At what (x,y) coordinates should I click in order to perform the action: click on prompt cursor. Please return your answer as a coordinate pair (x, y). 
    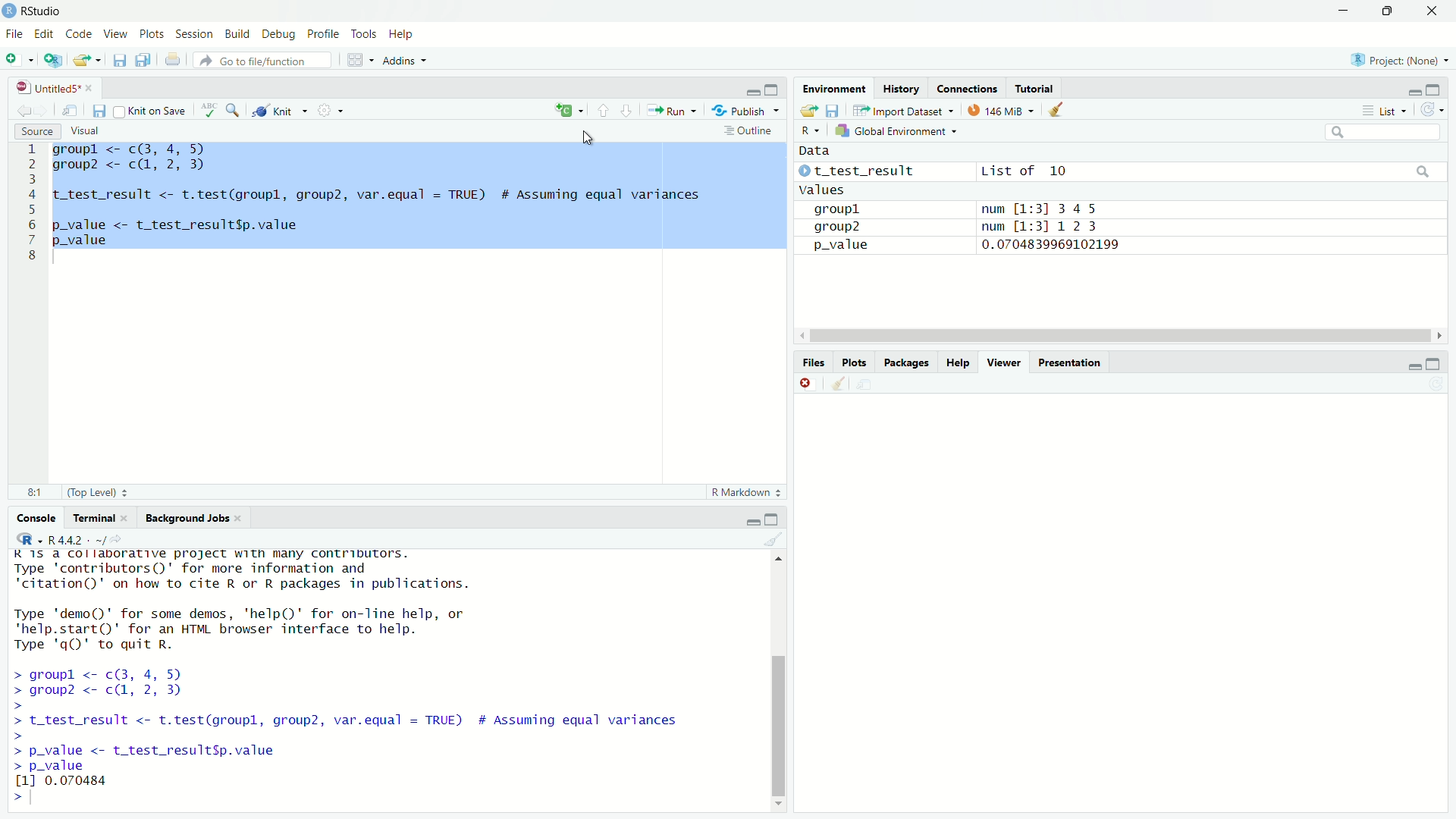
    Looking at the image, I should click on (17, 795).